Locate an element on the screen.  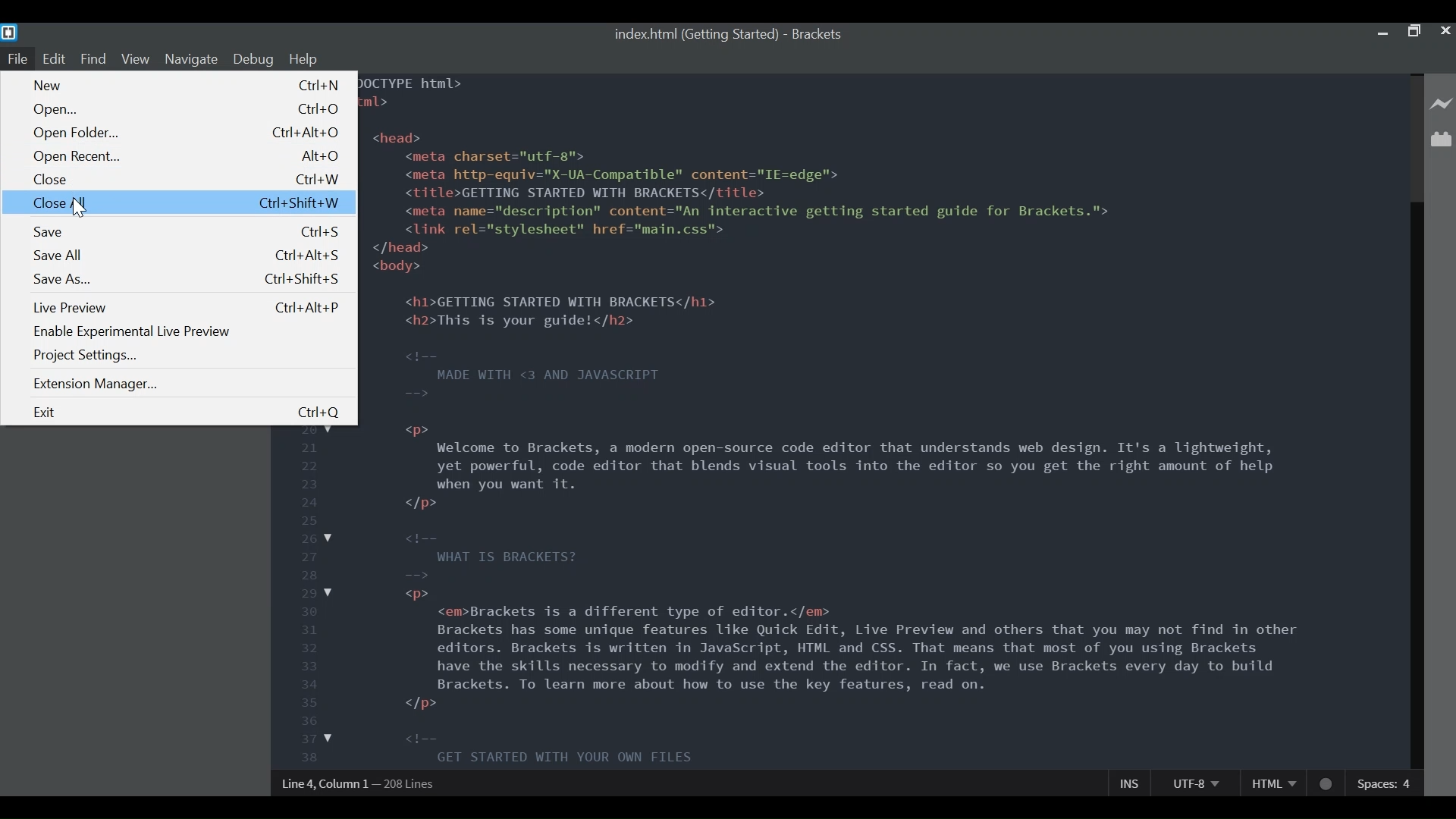
No linter available for HTML is located at coordinates (1323, 786).